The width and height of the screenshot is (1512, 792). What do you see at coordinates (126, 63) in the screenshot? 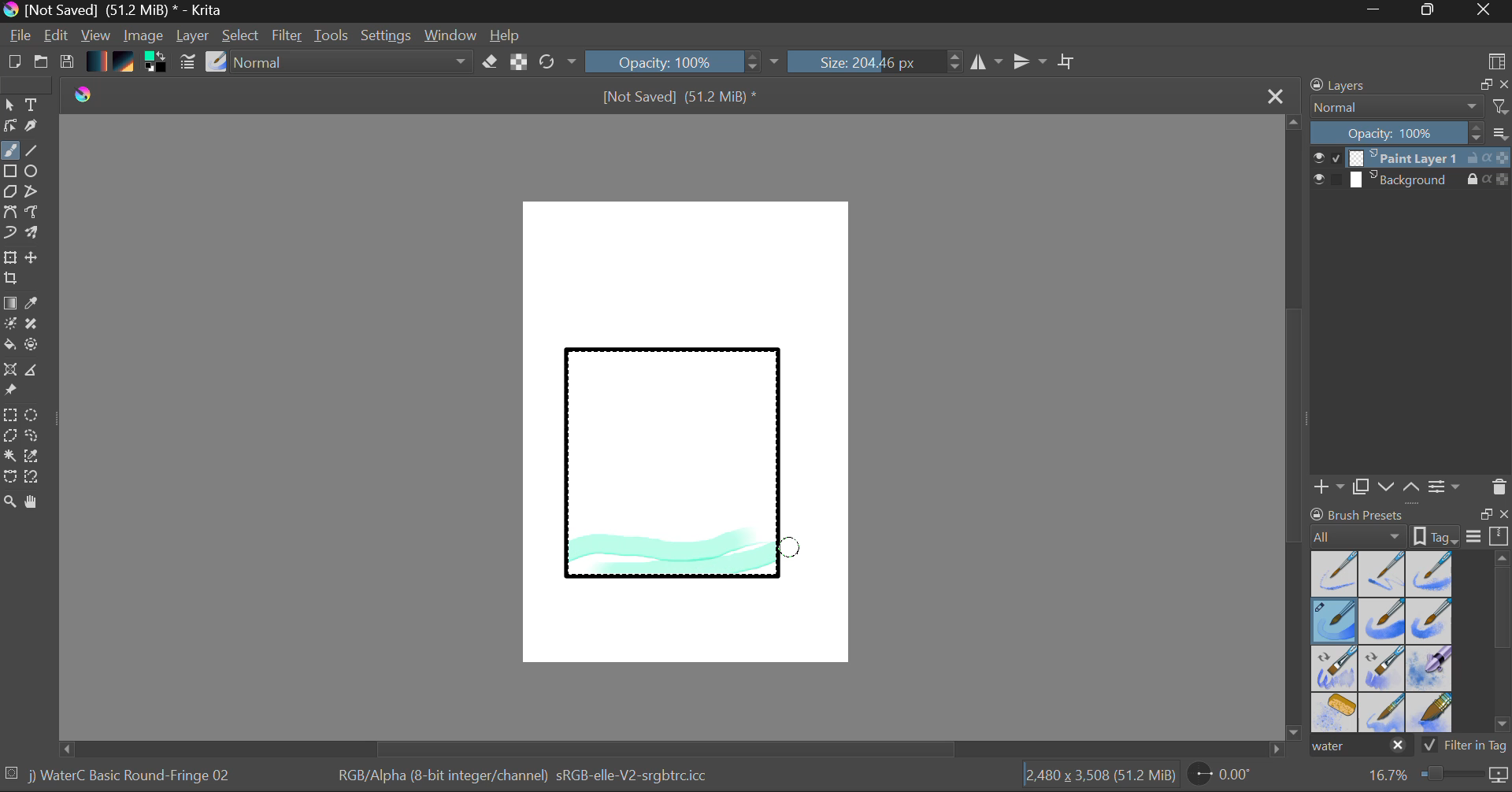
I see `Pattern` at bounding box center [126, 63].